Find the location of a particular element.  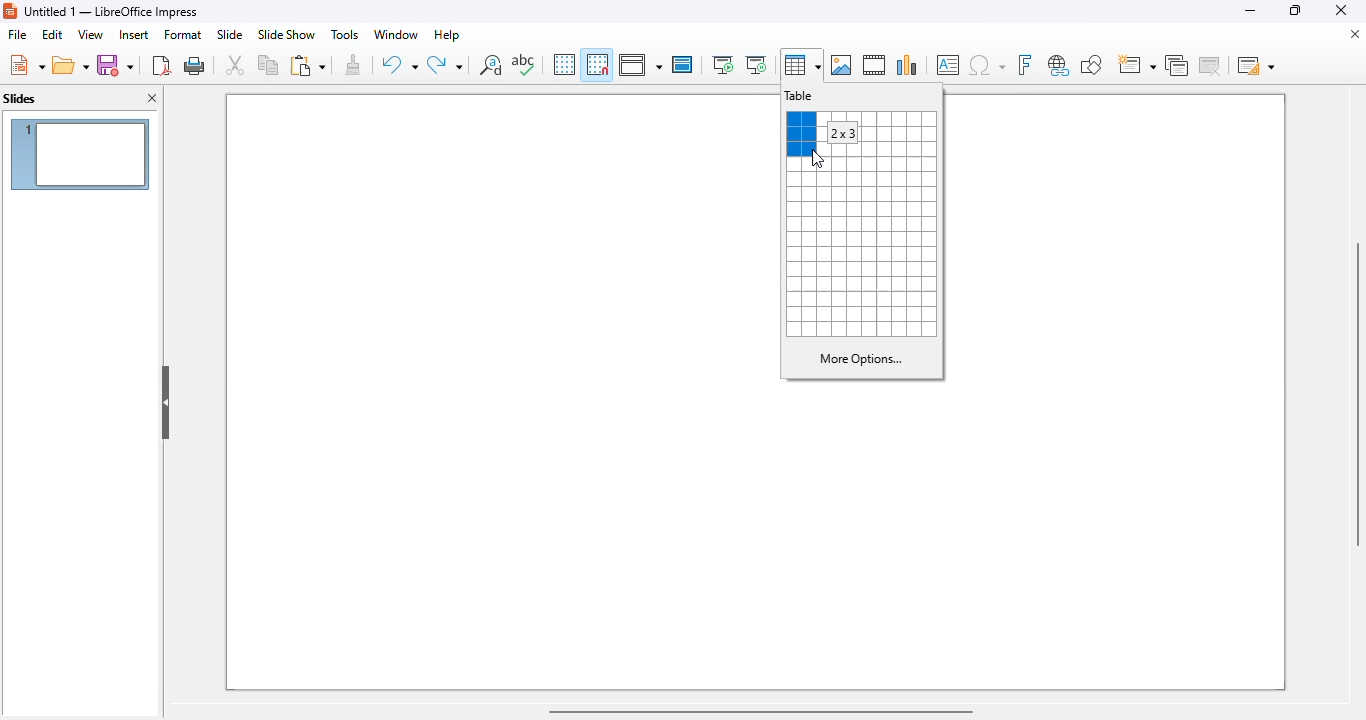

maximize is located at coordinates (1297, 10).